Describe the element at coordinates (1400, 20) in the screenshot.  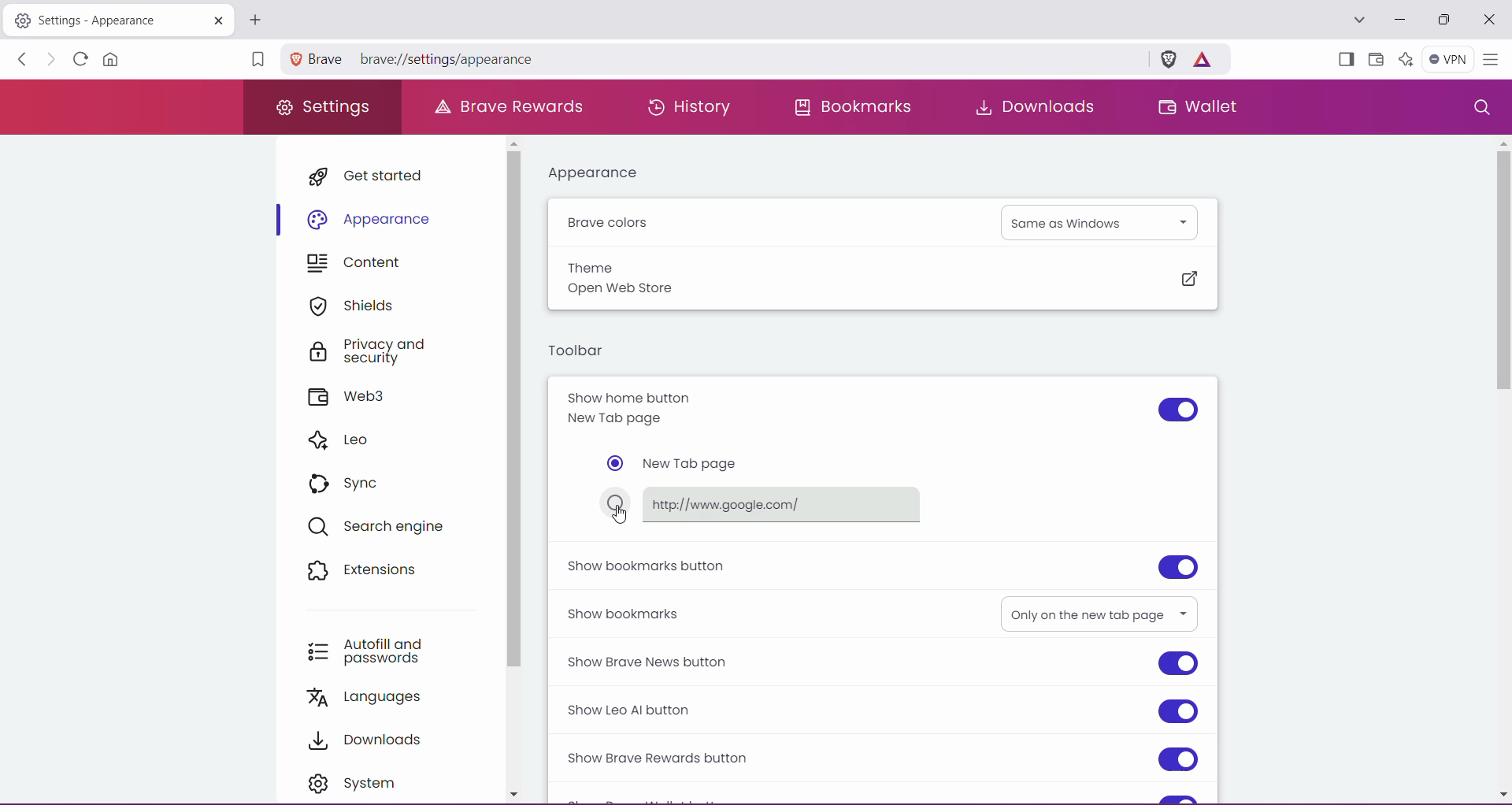
I see `Minimize` at that location.